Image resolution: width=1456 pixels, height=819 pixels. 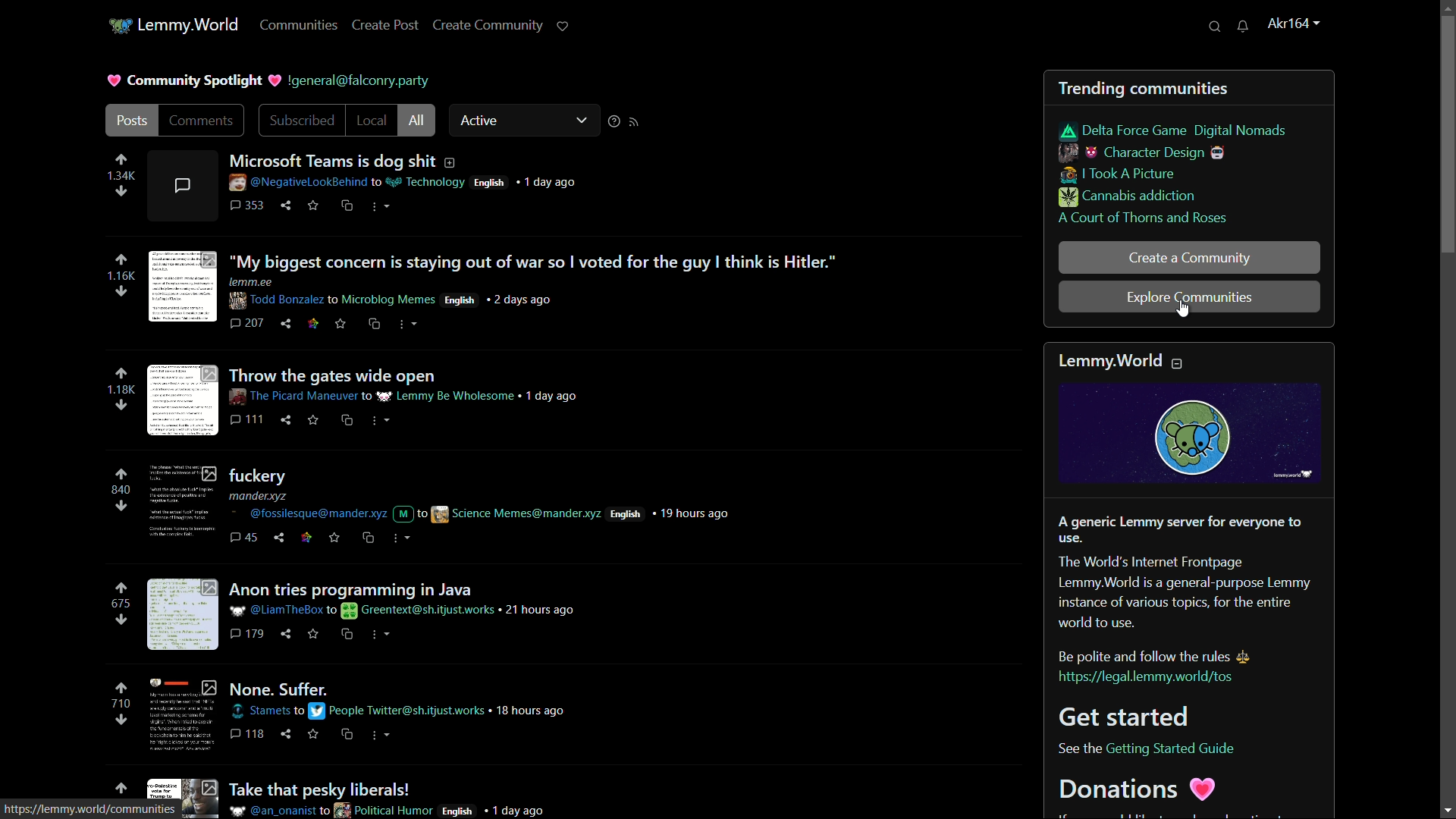 What do you see at coordinates (1190, 296) in the screenshot?
I see `explore communities` at bounding box center [1190, 296].